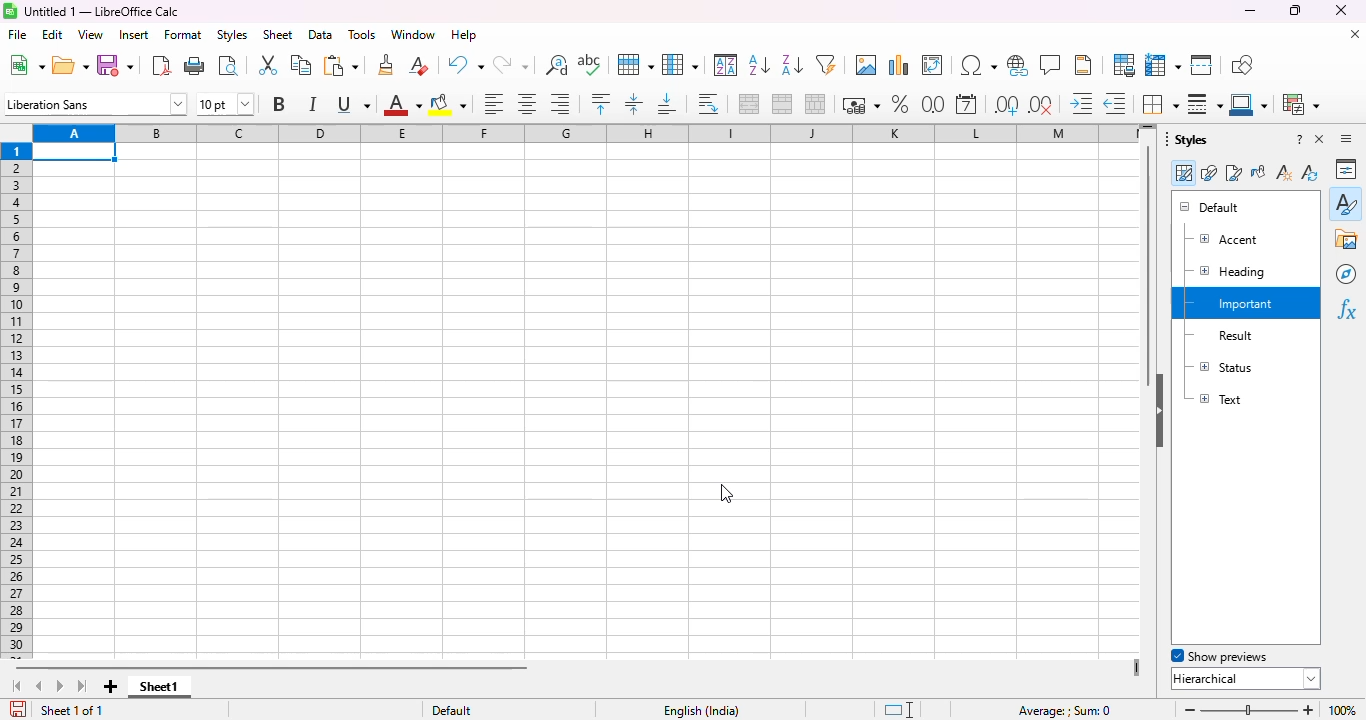 Image resolution: width=1366 pixels, height=720 pixels. What do you see at coordinates (102, 11) in the screenshot?
I see `title` at bounding box center [102, 11].